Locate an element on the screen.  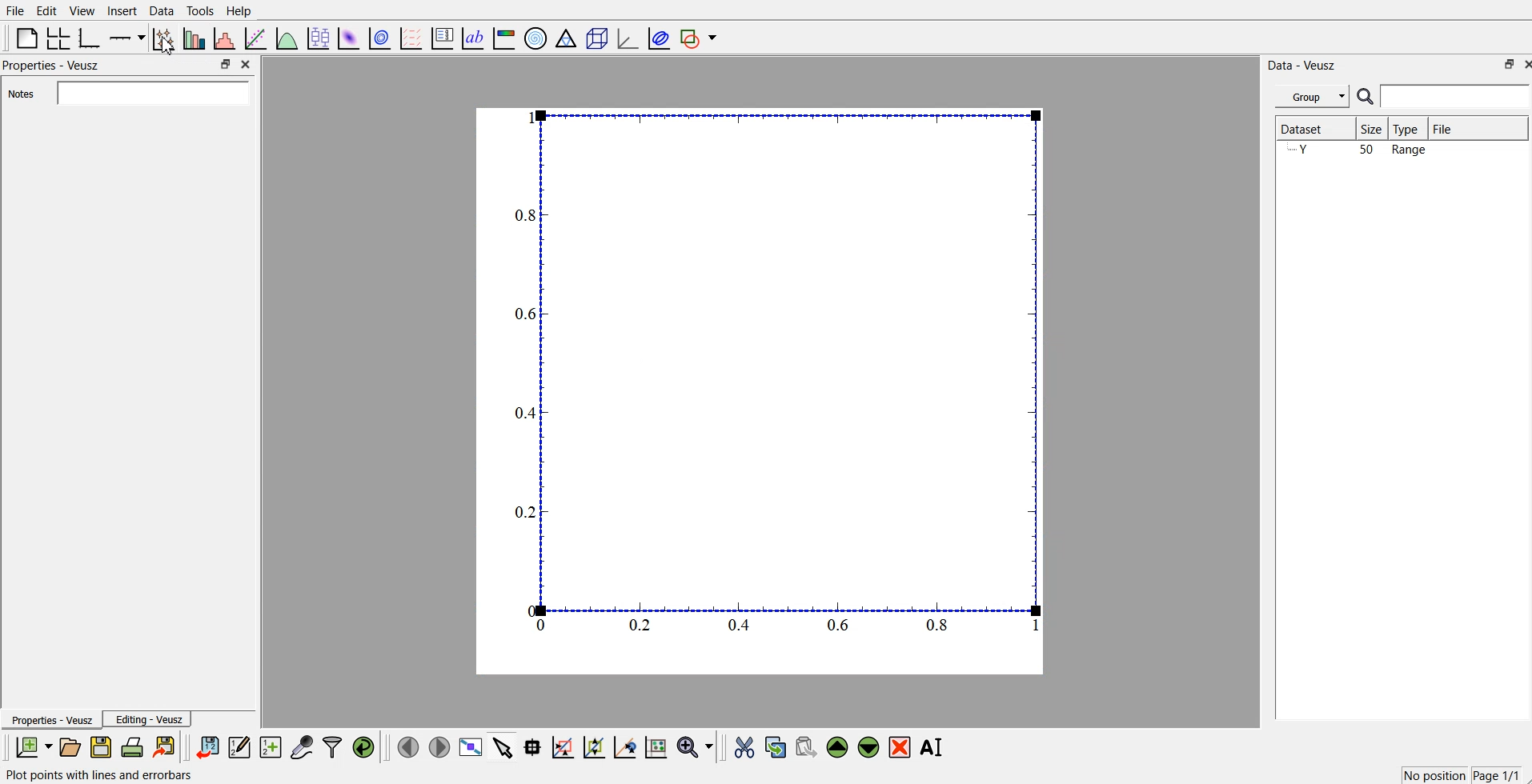
plot key is located at coordinates (442, 37).